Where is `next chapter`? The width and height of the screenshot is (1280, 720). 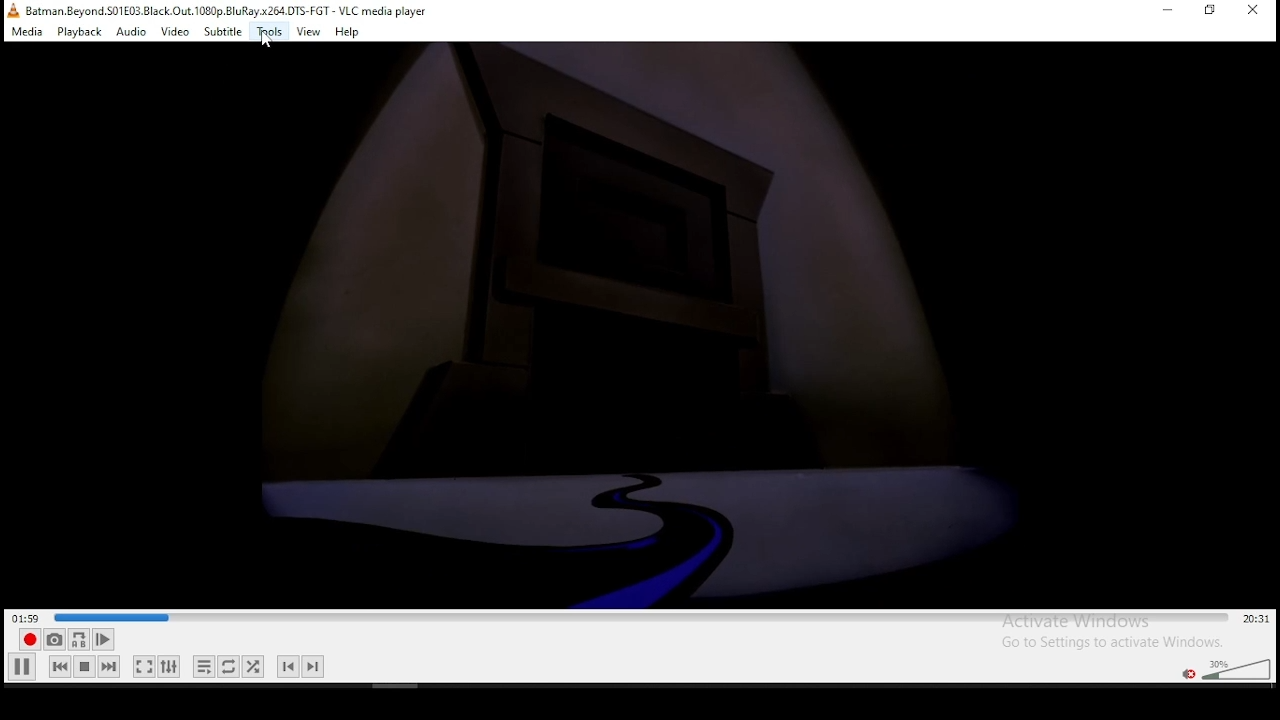
next chapter is located at coordinates (313, 666).